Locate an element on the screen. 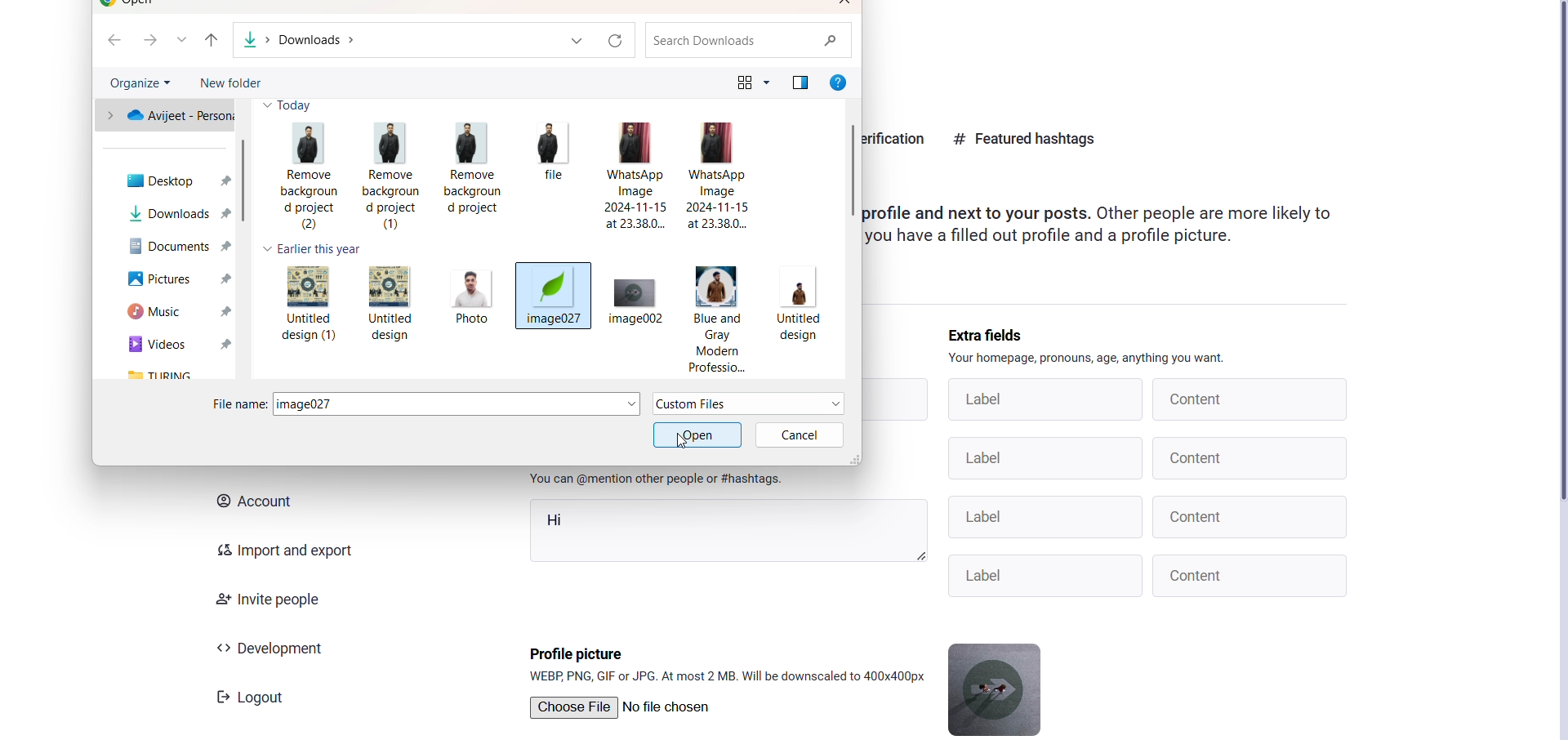 The width and height of the screenshot is (1568, 740). refresh is located at coordinates (616, 38).